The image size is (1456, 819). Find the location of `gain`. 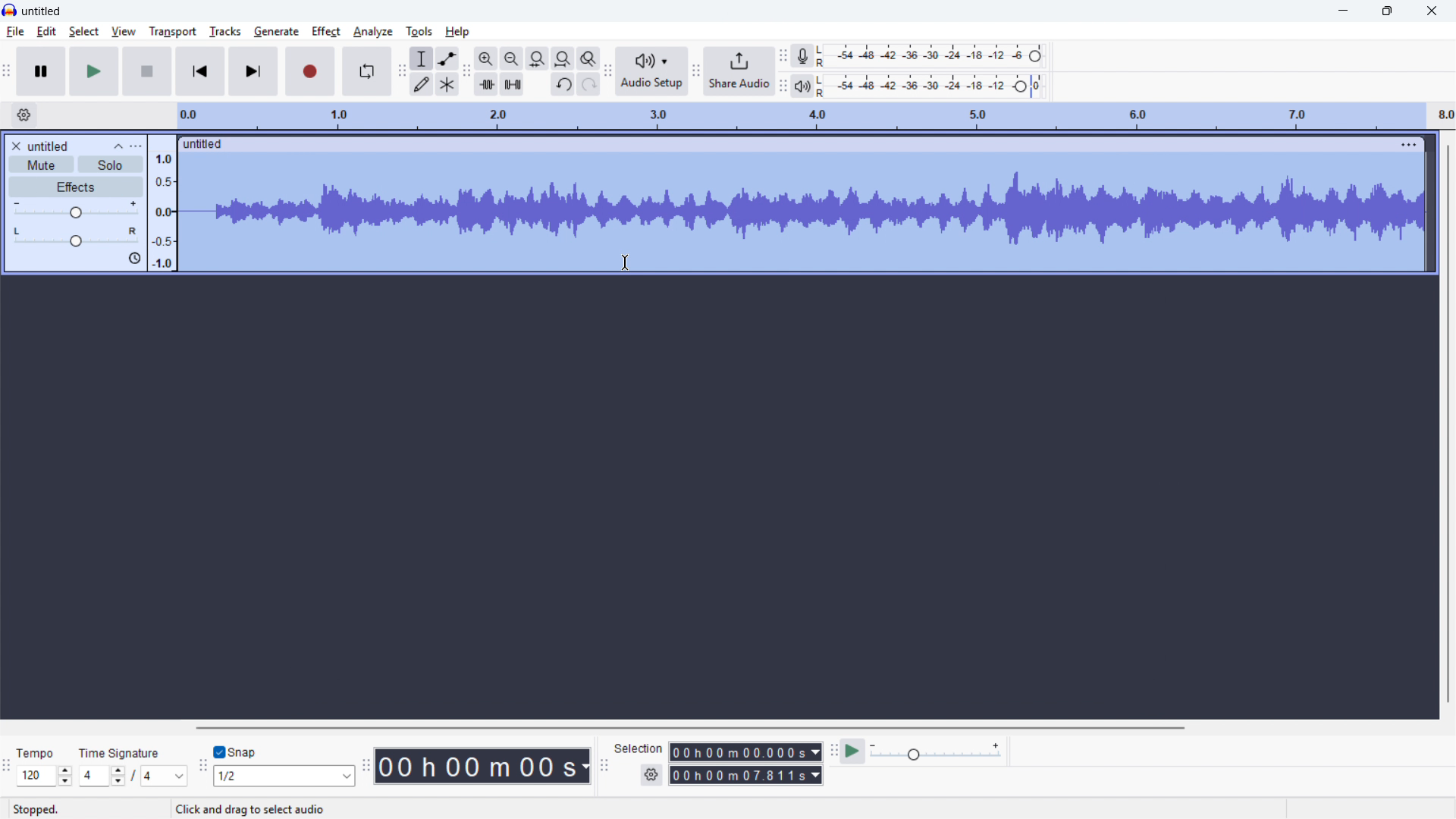

gain is located at coordinates (76, 210).